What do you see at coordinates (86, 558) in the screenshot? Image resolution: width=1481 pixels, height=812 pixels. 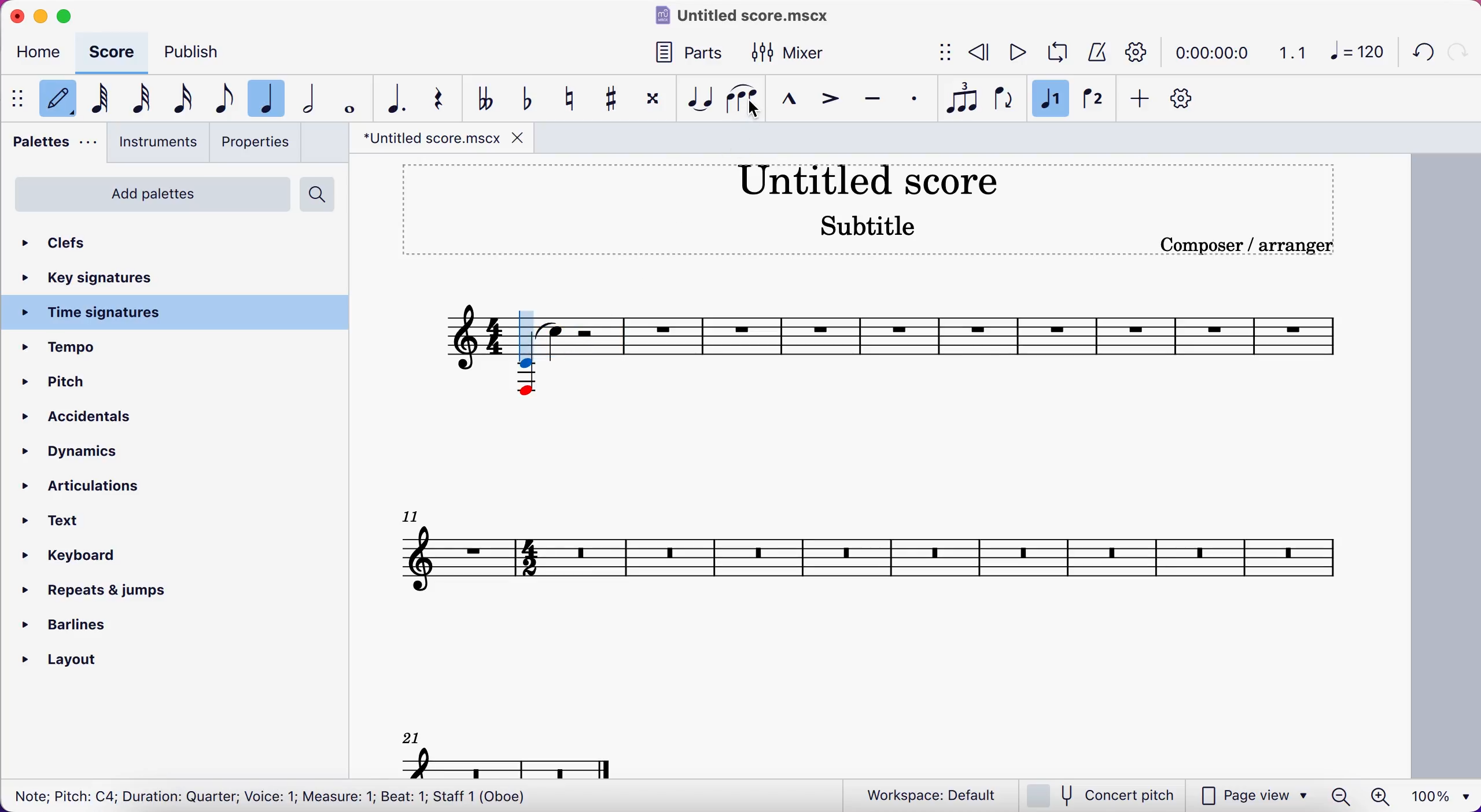 I see `keyboard` at bounding box center [86, 558].